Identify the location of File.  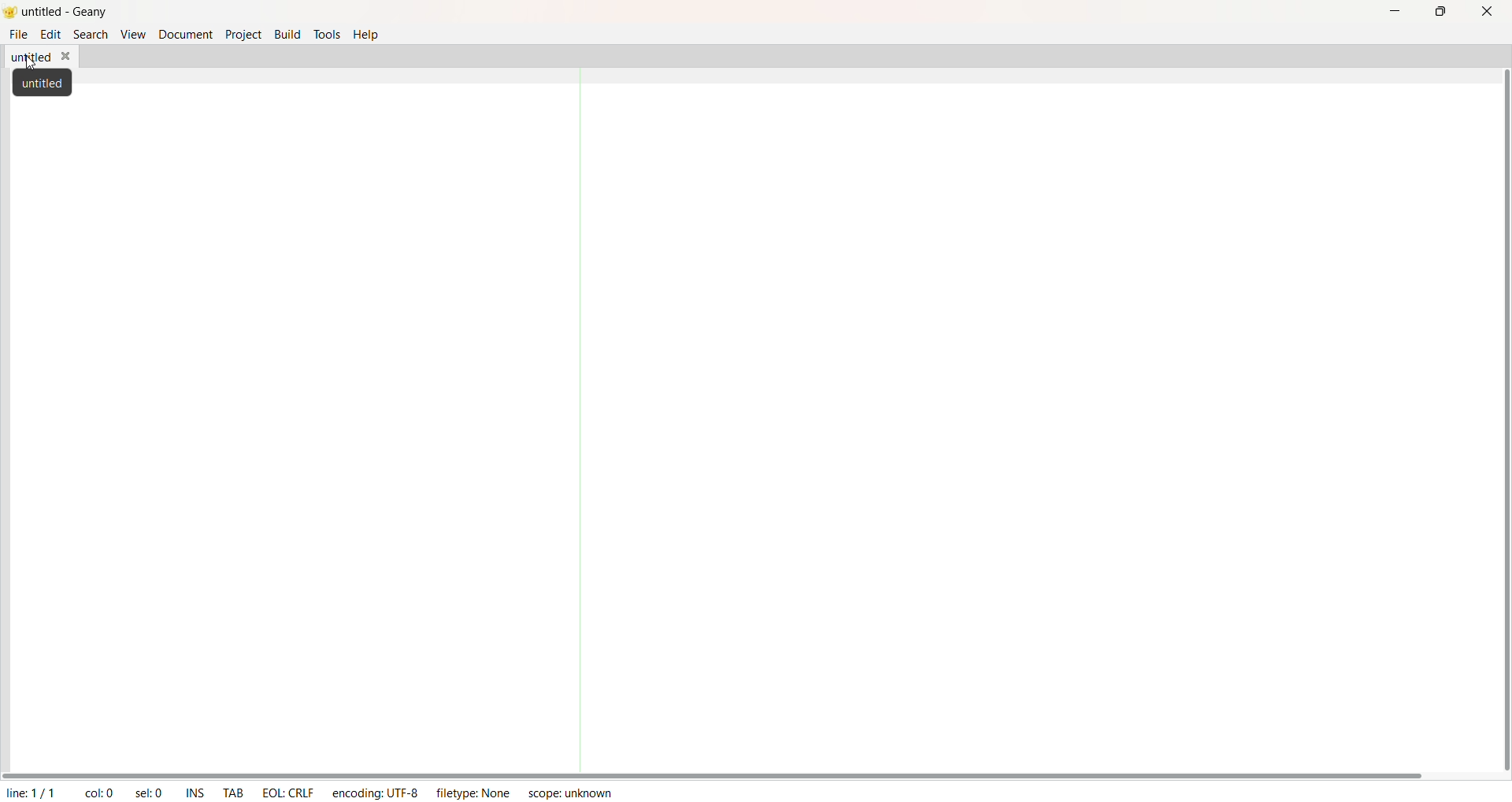
(20, 36).